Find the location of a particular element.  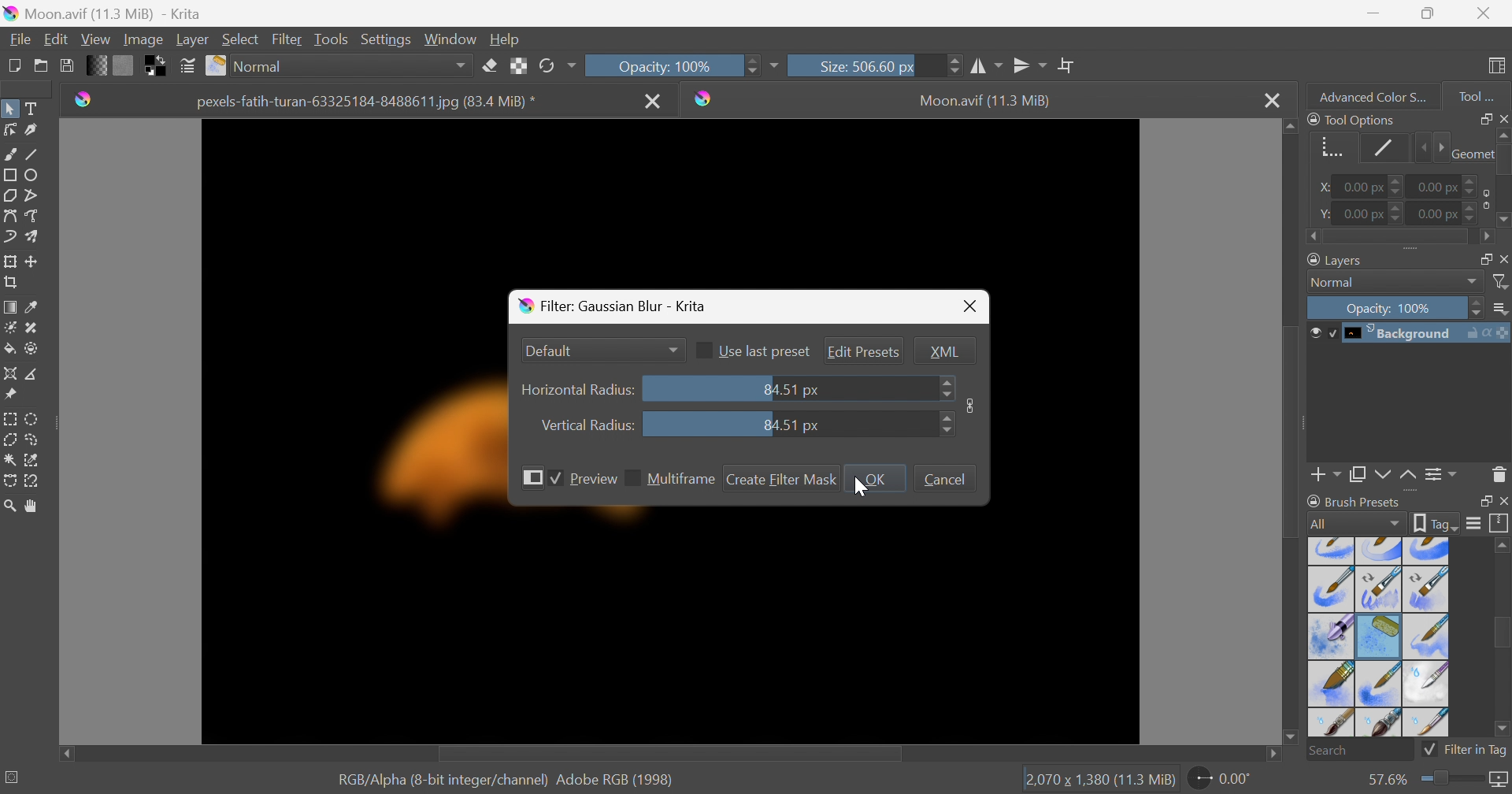

Save is located at coordinates (66, 64).